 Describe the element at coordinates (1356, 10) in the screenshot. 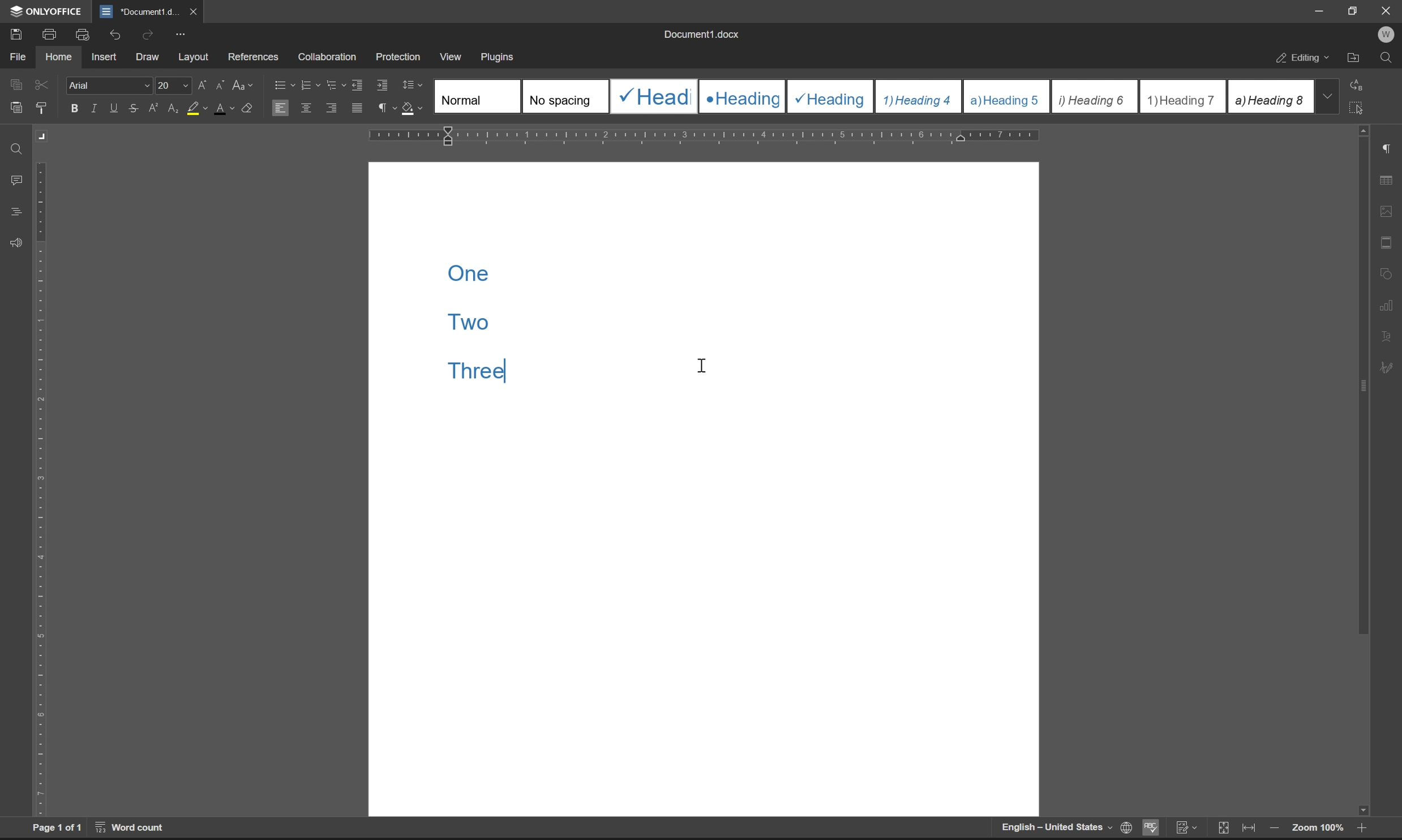

I see `restore down` at that location.